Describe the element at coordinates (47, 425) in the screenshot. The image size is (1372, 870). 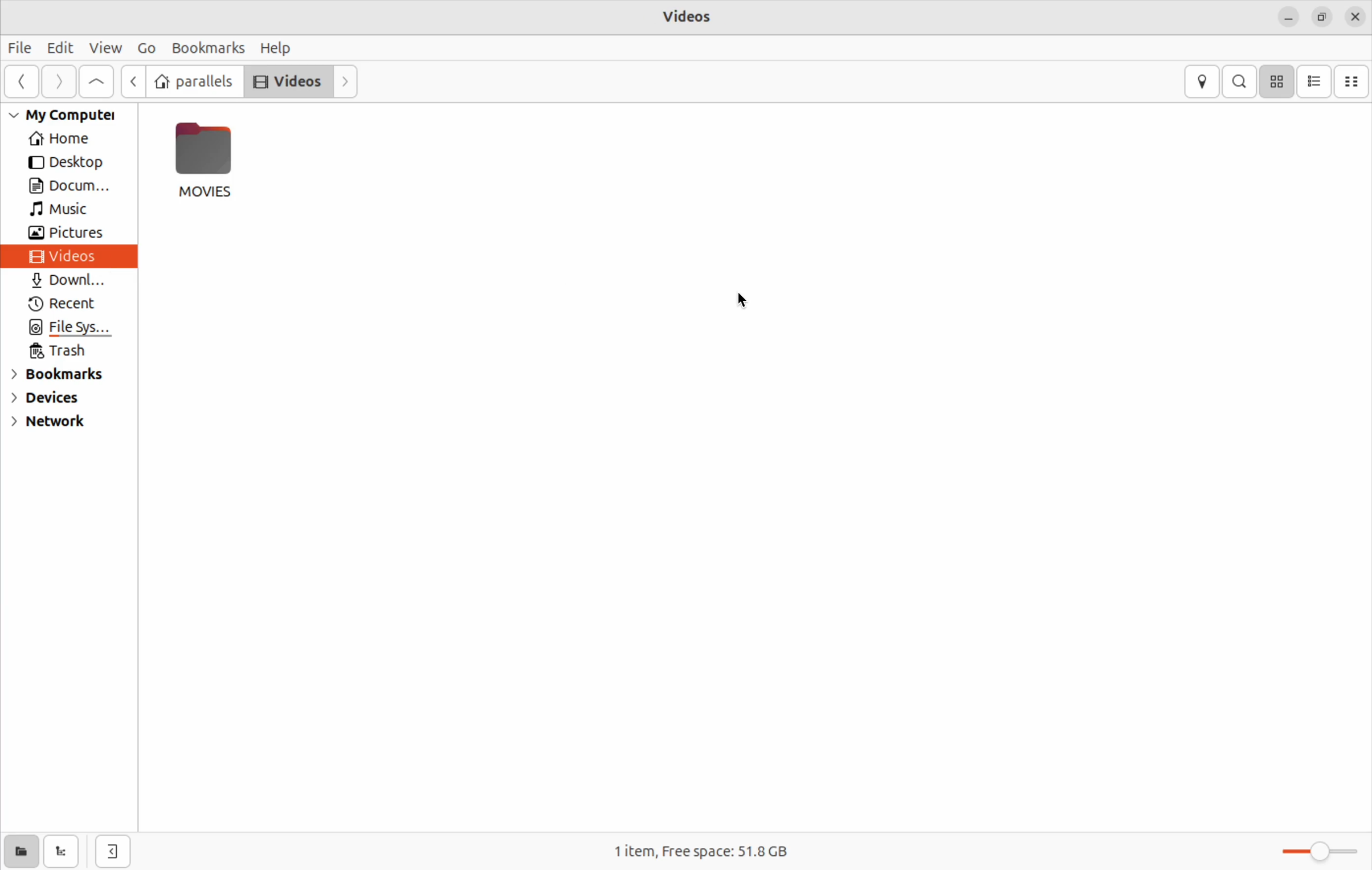
I see `Network` at that location.